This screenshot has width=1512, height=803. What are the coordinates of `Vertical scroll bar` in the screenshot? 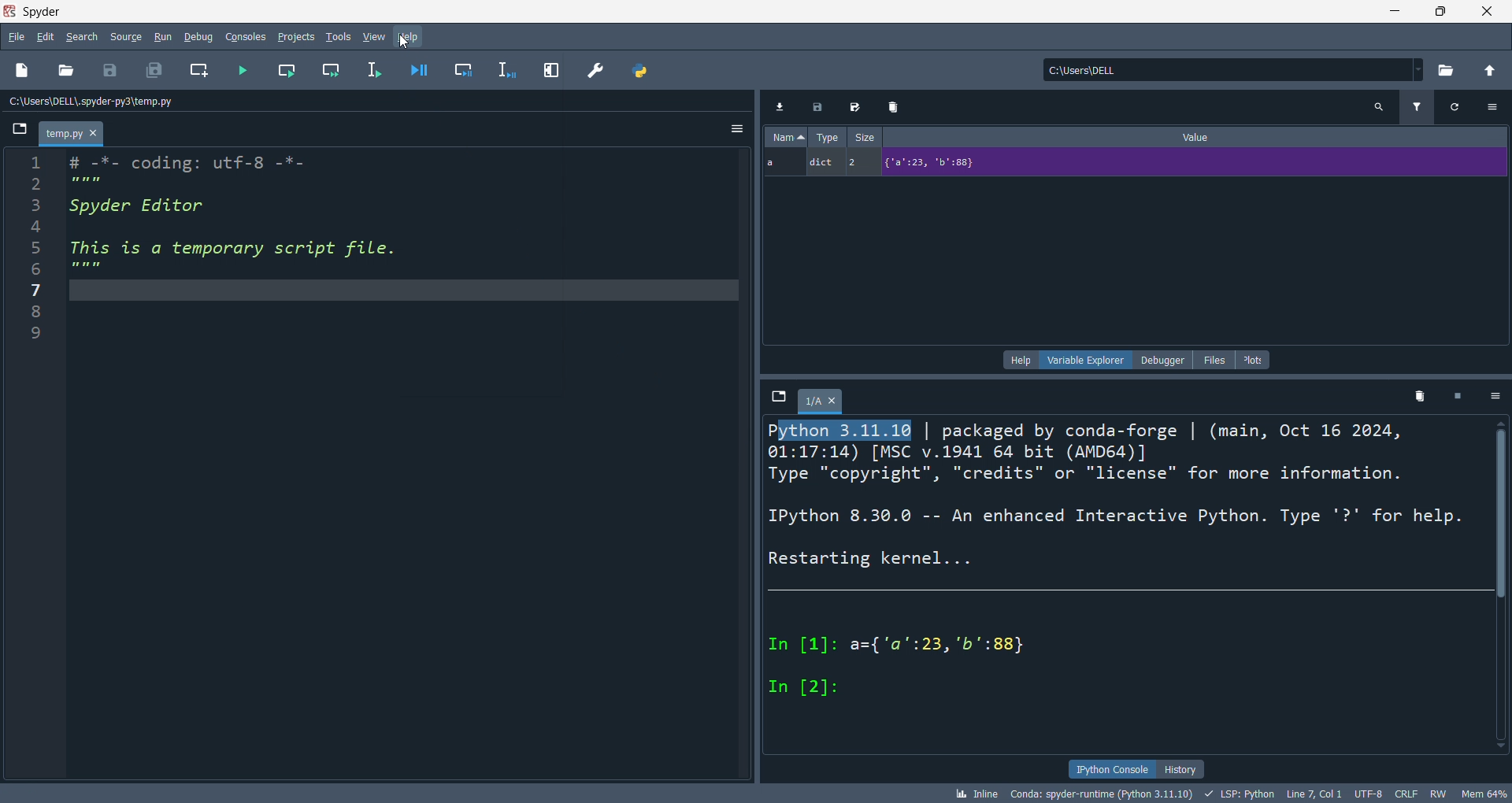 It's located at (1502, 583).